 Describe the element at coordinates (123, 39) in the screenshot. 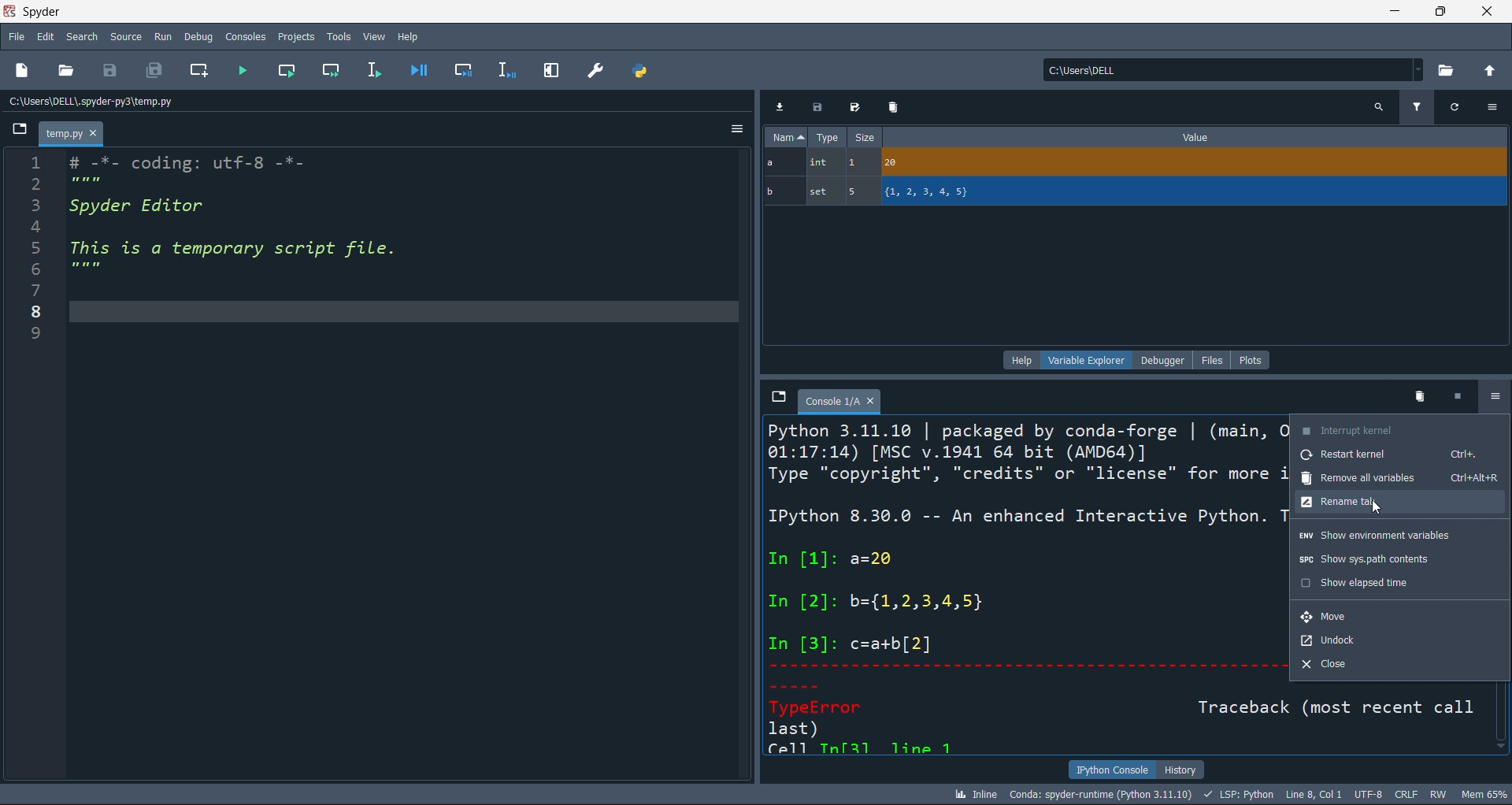

I see `source` at that location.